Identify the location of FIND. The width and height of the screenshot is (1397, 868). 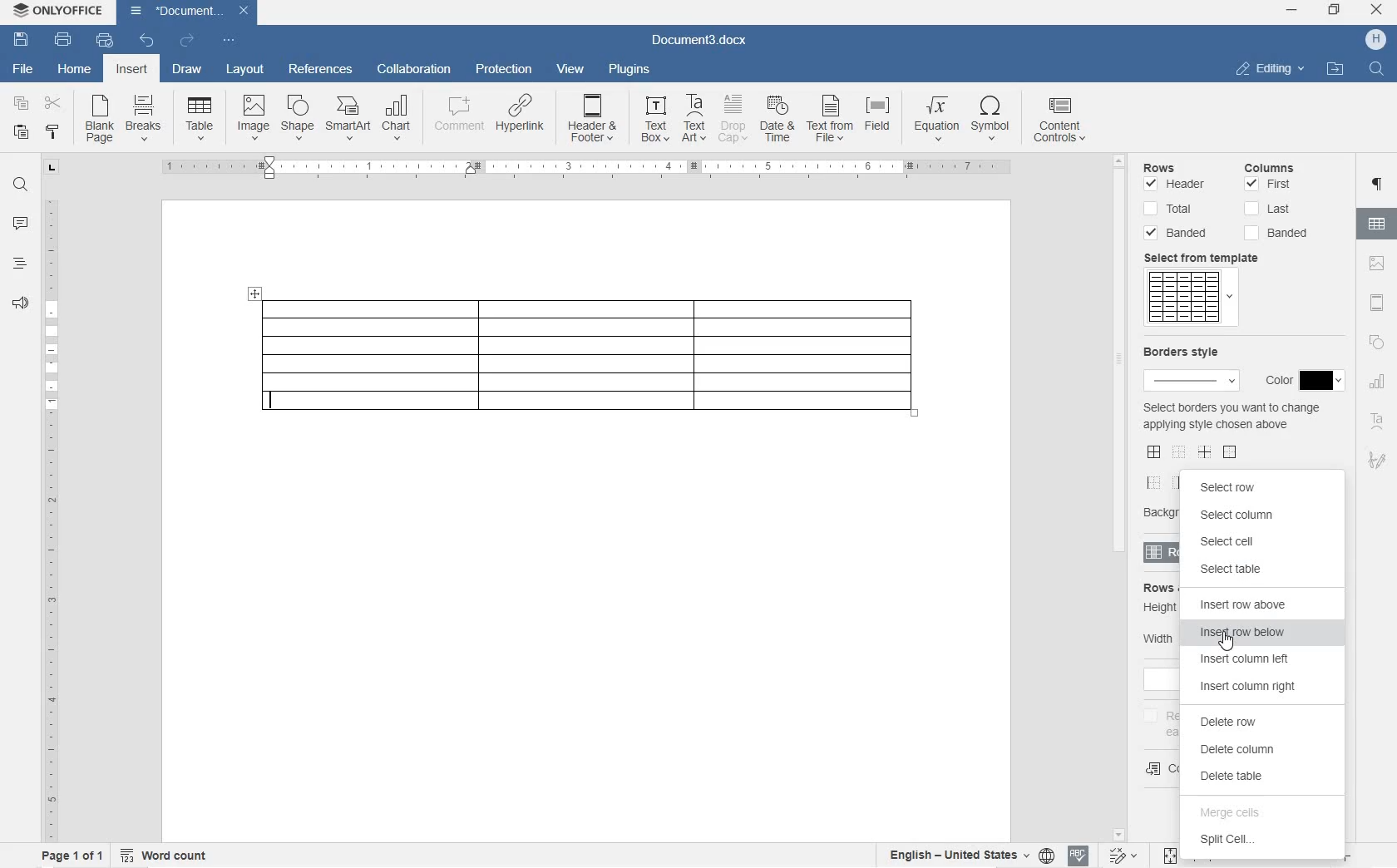
(1375, 71).